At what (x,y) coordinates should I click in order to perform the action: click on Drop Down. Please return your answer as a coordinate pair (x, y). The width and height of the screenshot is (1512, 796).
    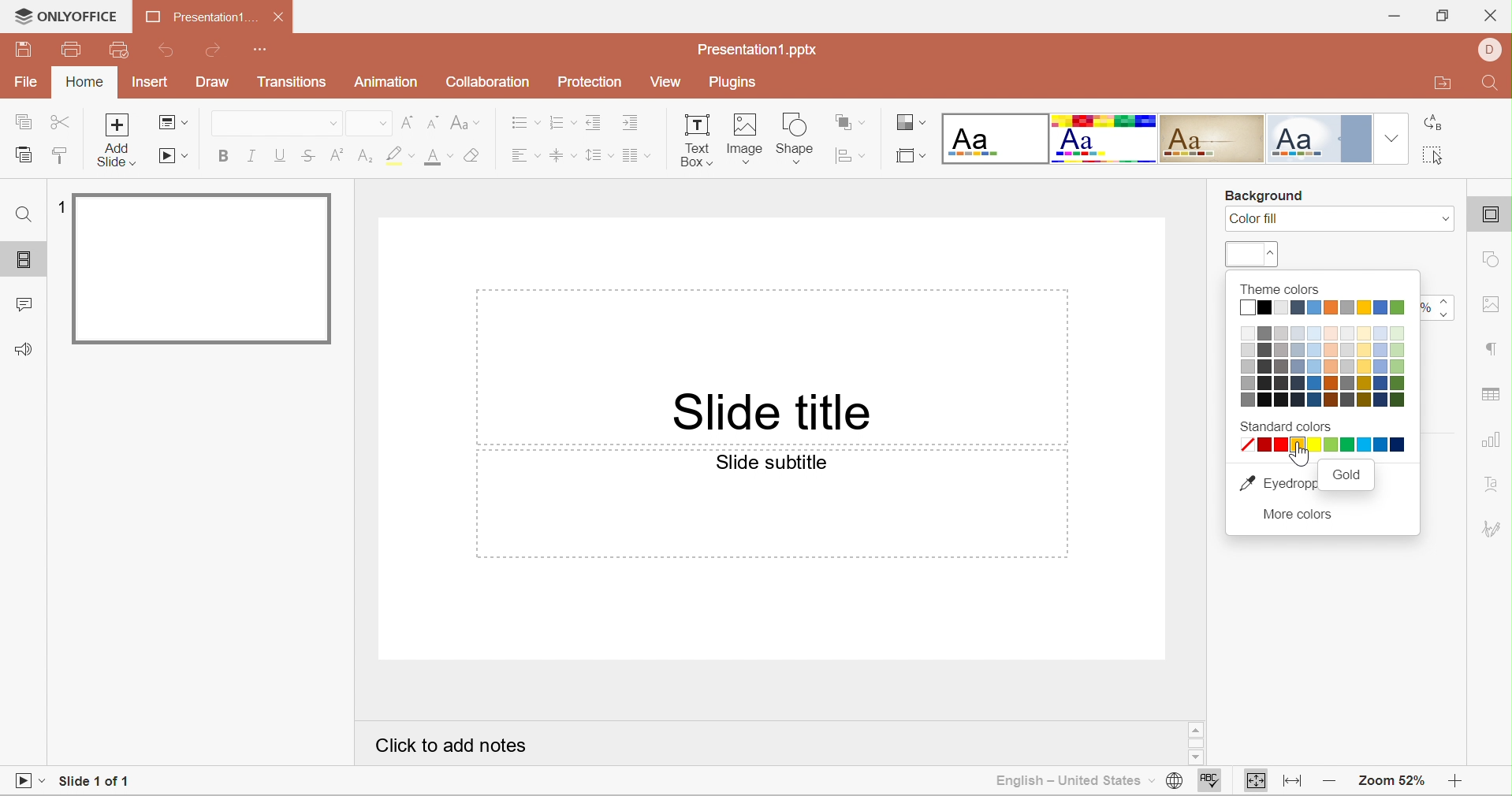
    Looking at the image, I should click on (330, 125).